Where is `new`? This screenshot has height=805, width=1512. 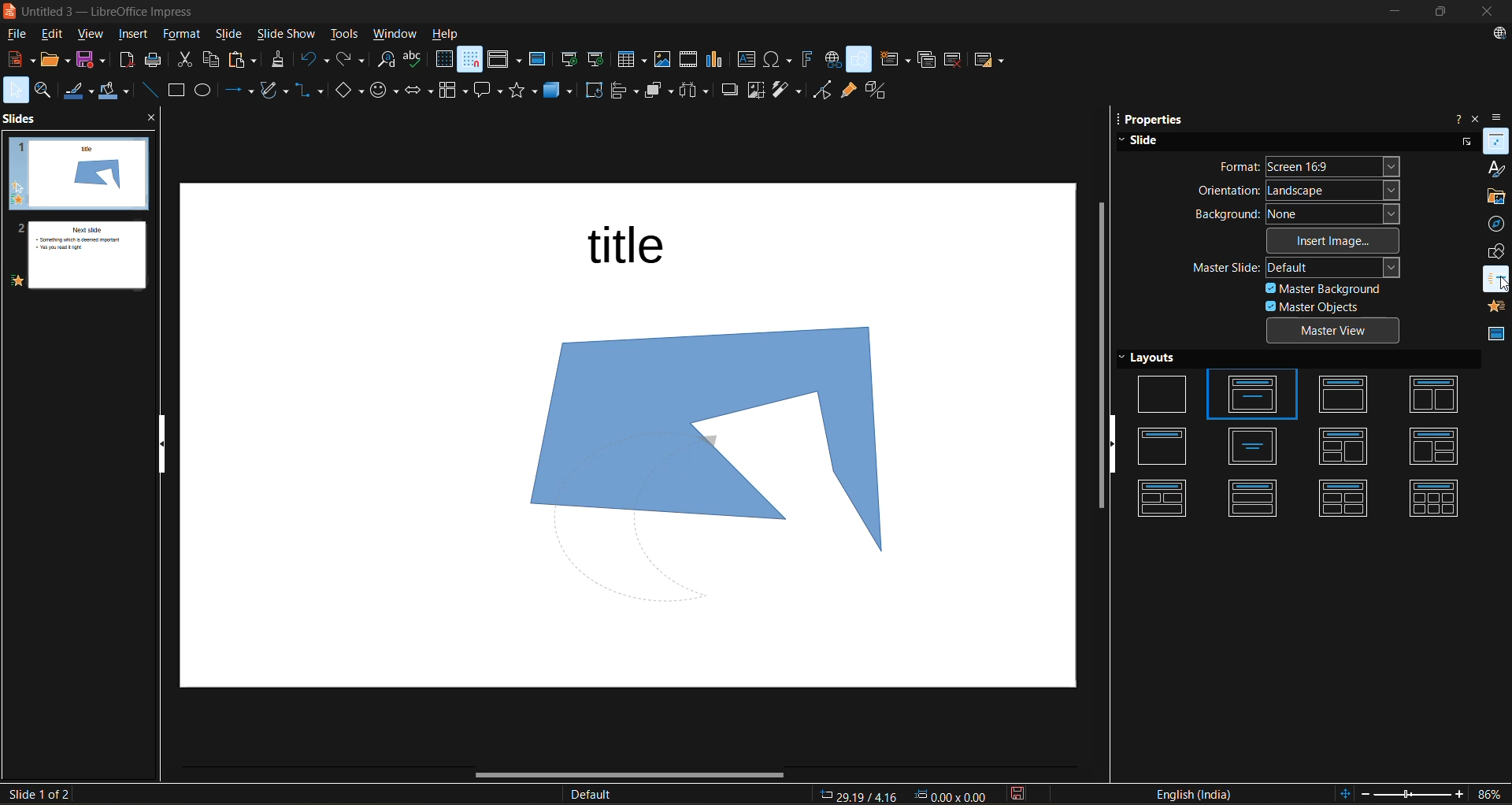
new is located at coordinates (18, 61).